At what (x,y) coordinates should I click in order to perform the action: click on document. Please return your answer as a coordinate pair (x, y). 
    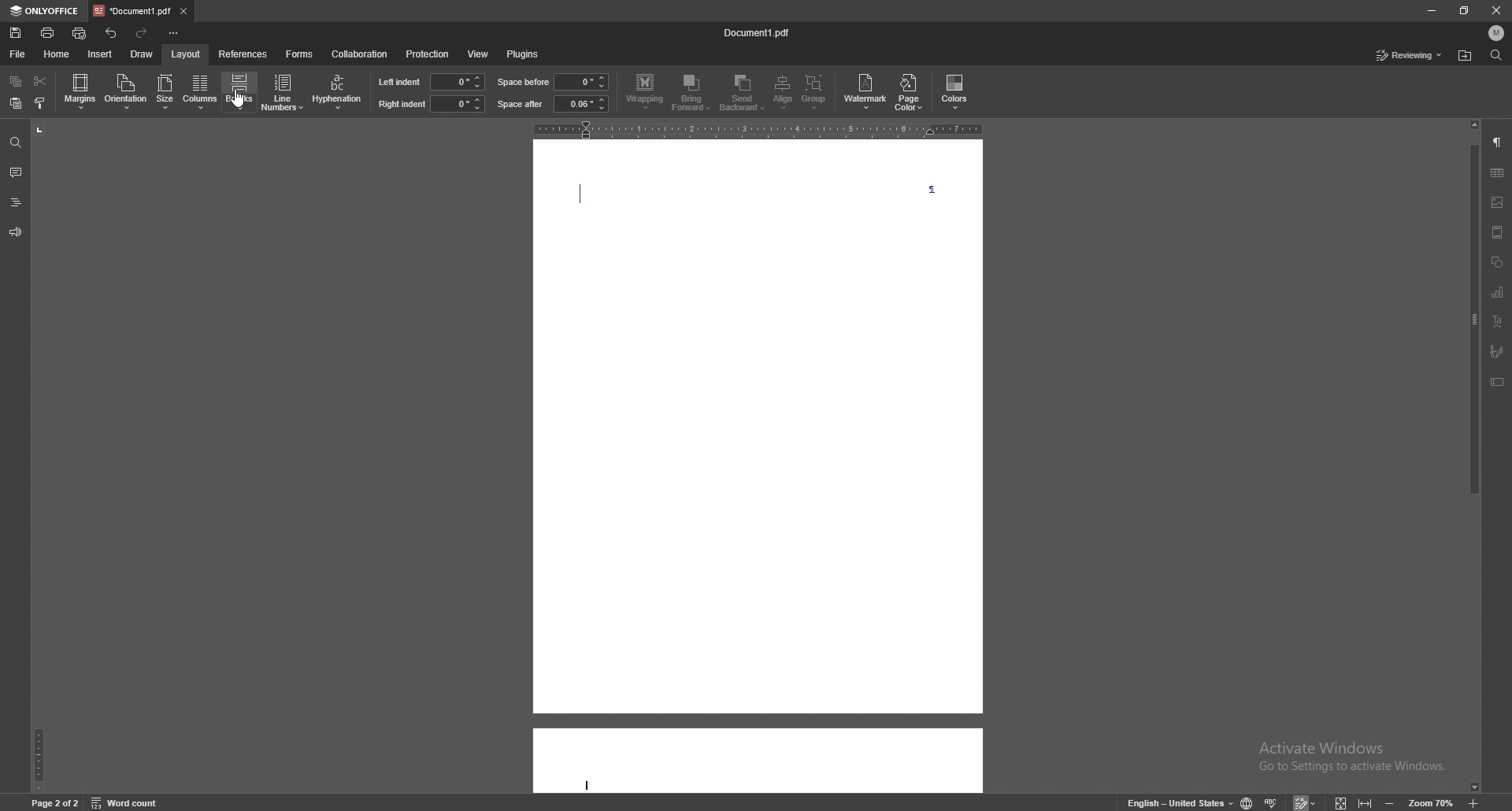
    Looking at the image, I should click on (754, 468).